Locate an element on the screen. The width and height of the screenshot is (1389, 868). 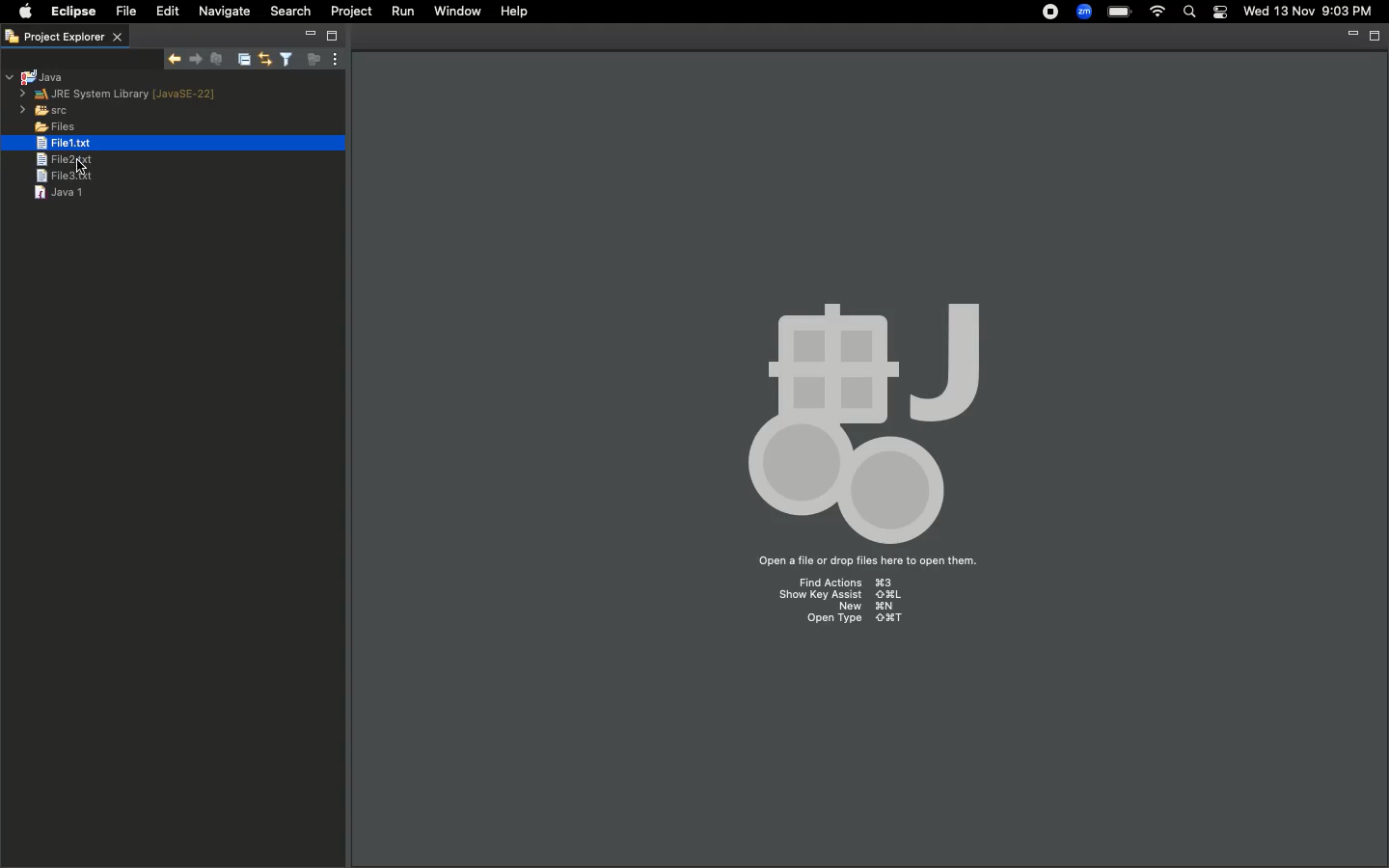
File 3.text is located at coordinates (60, 176).